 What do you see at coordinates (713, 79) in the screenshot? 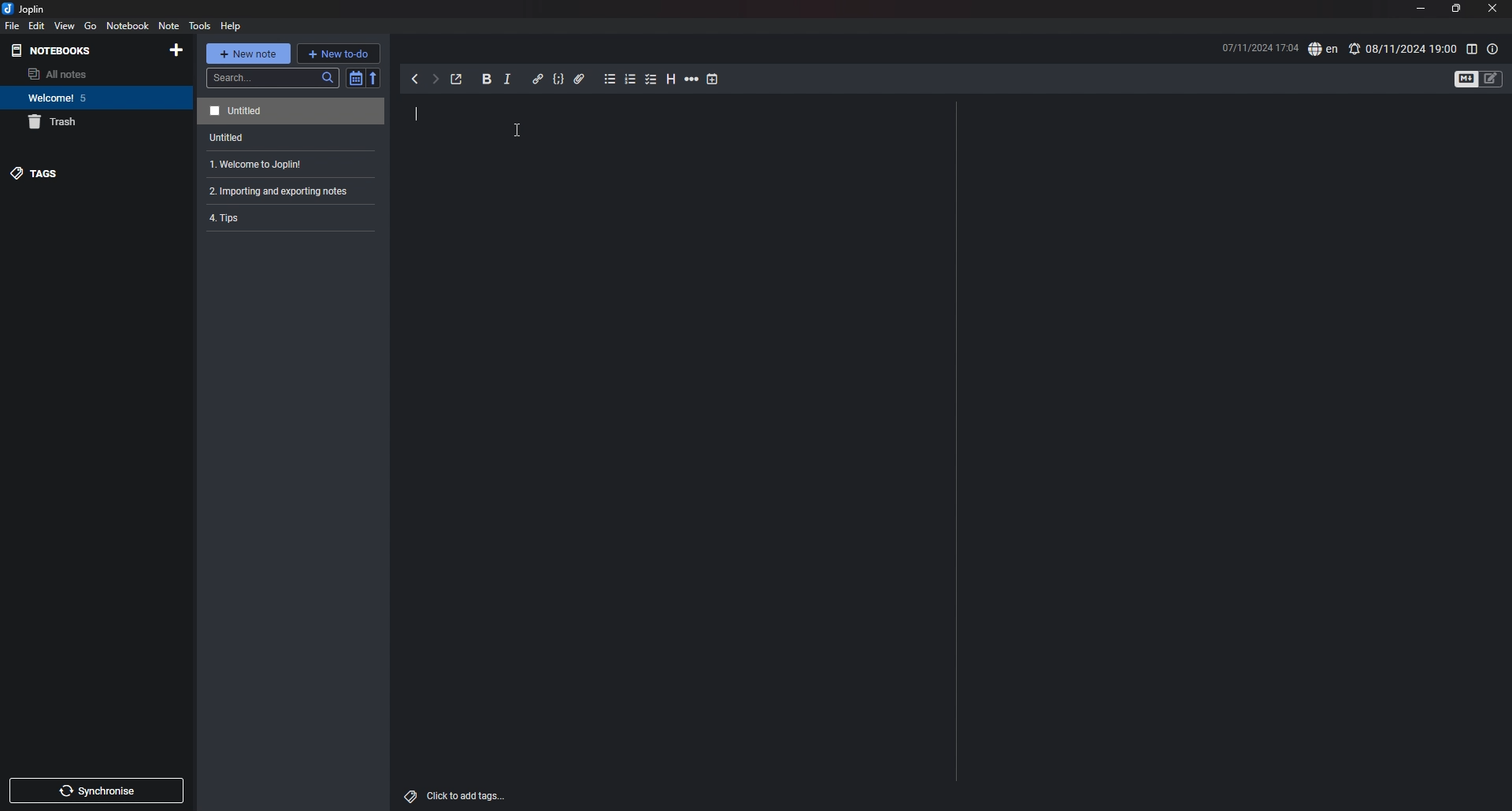
I see `add time` at bounding box center [713, 79].